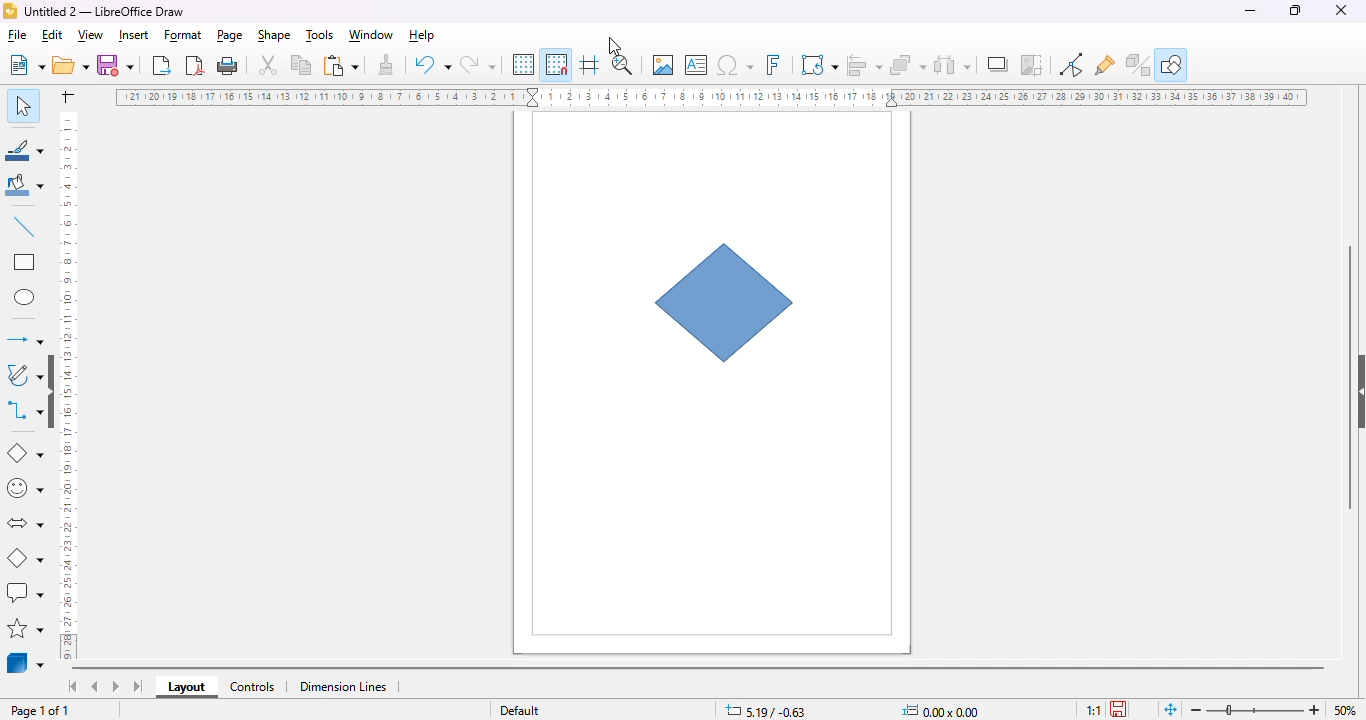  I want to click on controls, so click(254, 687).